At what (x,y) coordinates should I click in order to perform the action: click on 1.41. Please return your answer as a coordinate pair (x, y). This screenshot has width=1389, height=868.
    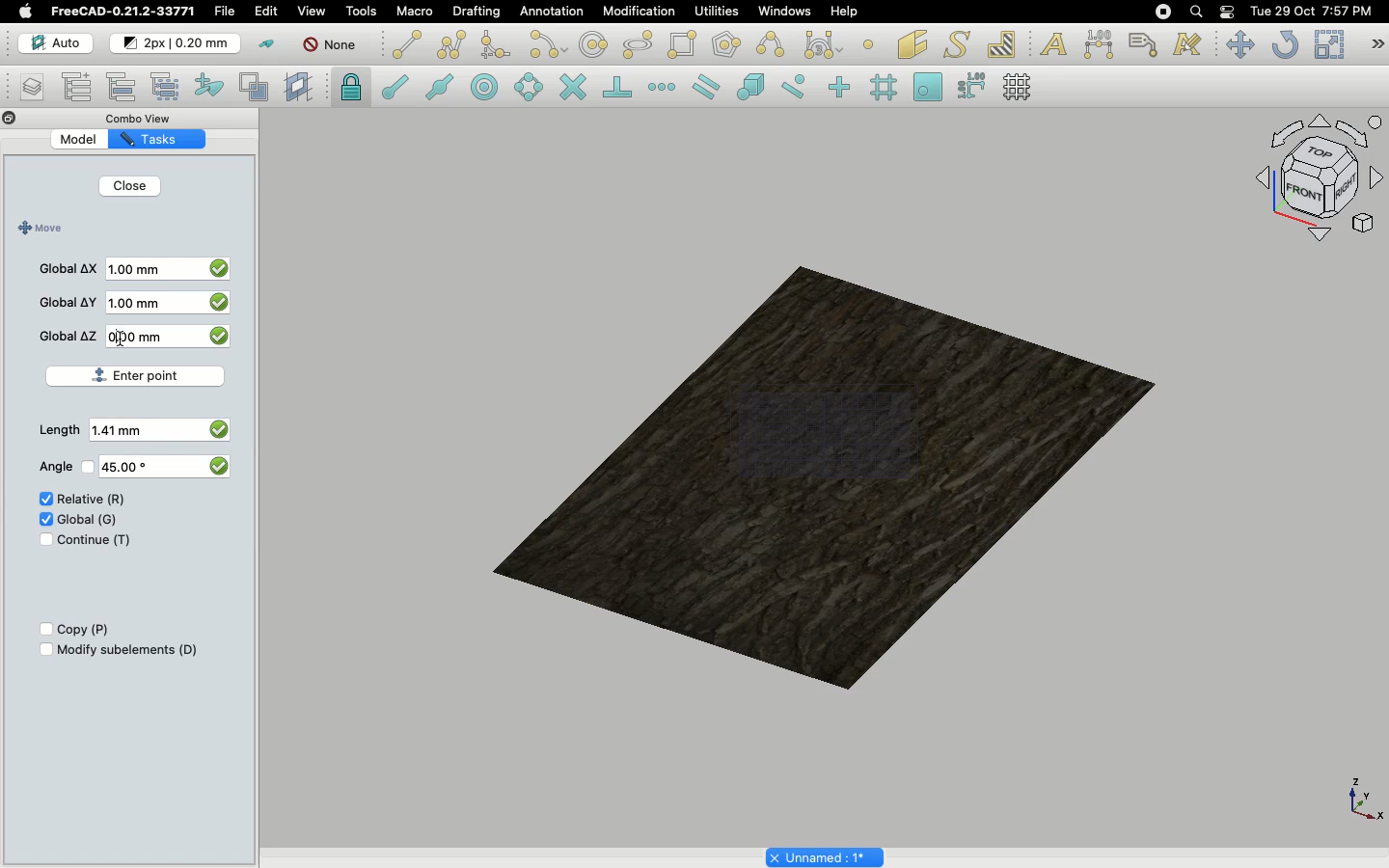
    Looking at the image, I should click on (120, 430).